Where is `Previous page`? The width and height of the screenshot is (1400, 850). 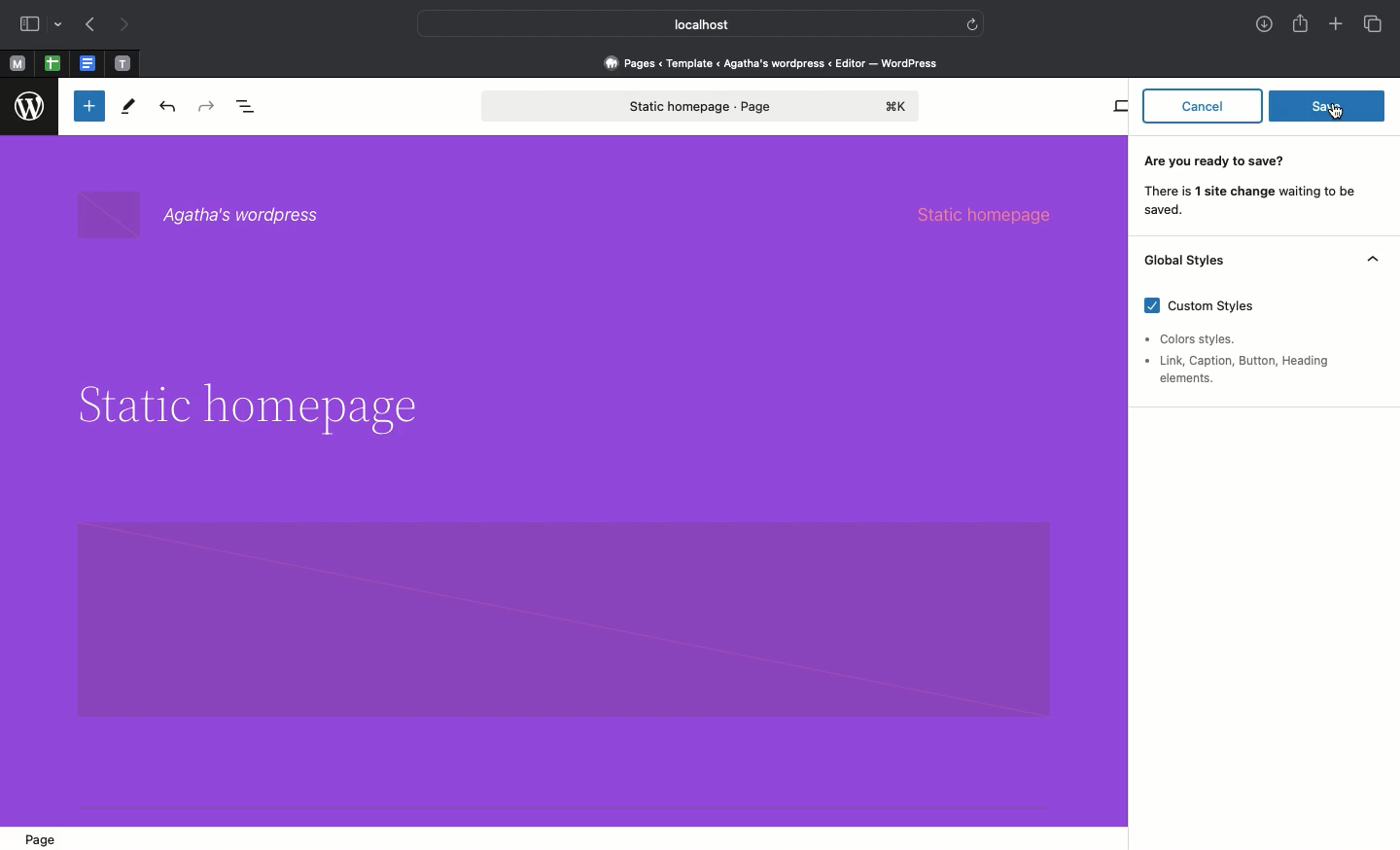
Previous page is located at coordinates (88, 26).